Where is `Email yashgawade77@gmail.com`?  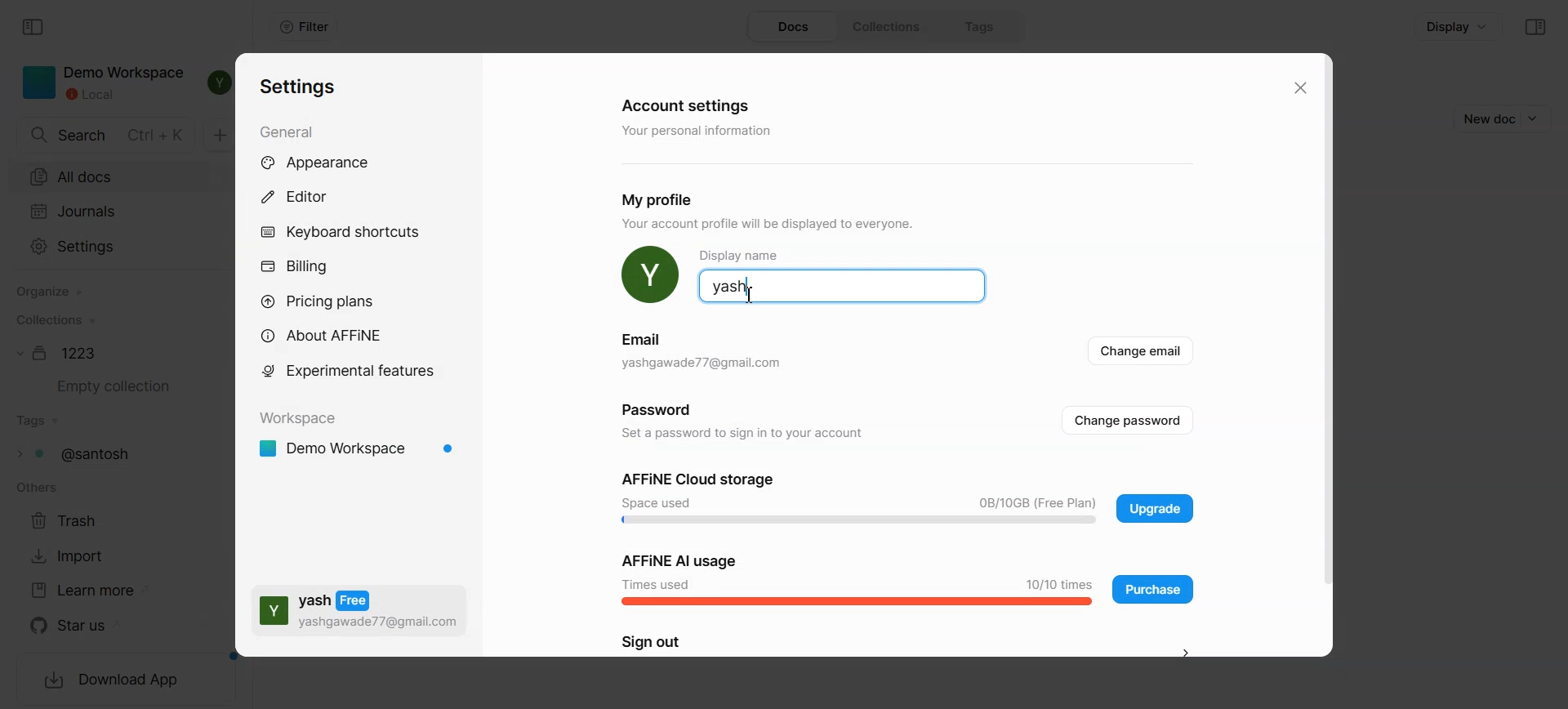
Email yashgawade77@gmail.com is located at coordinates (702, 354).